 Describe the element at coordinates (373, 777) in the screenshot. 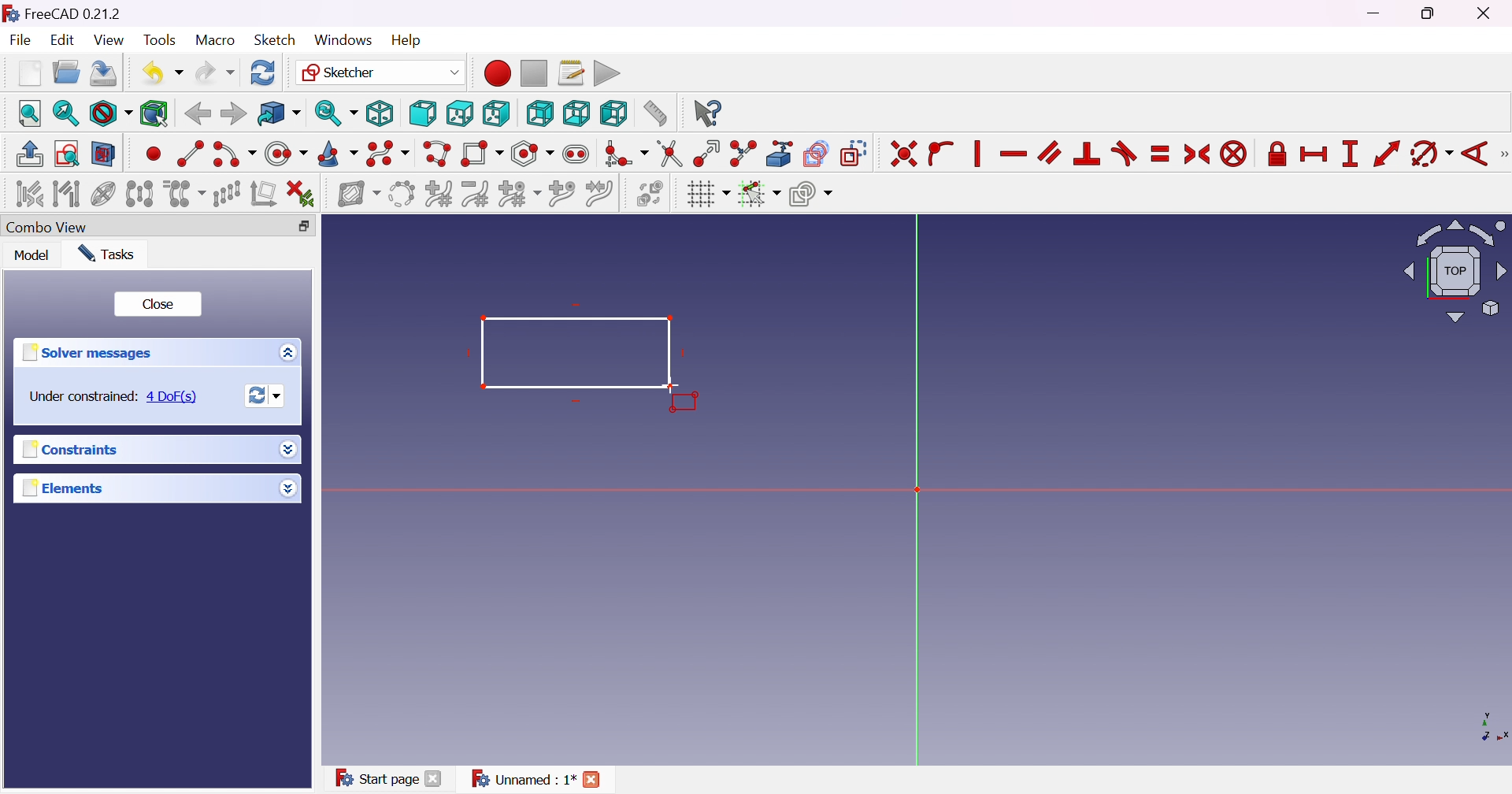

I see `Start page` at that location.